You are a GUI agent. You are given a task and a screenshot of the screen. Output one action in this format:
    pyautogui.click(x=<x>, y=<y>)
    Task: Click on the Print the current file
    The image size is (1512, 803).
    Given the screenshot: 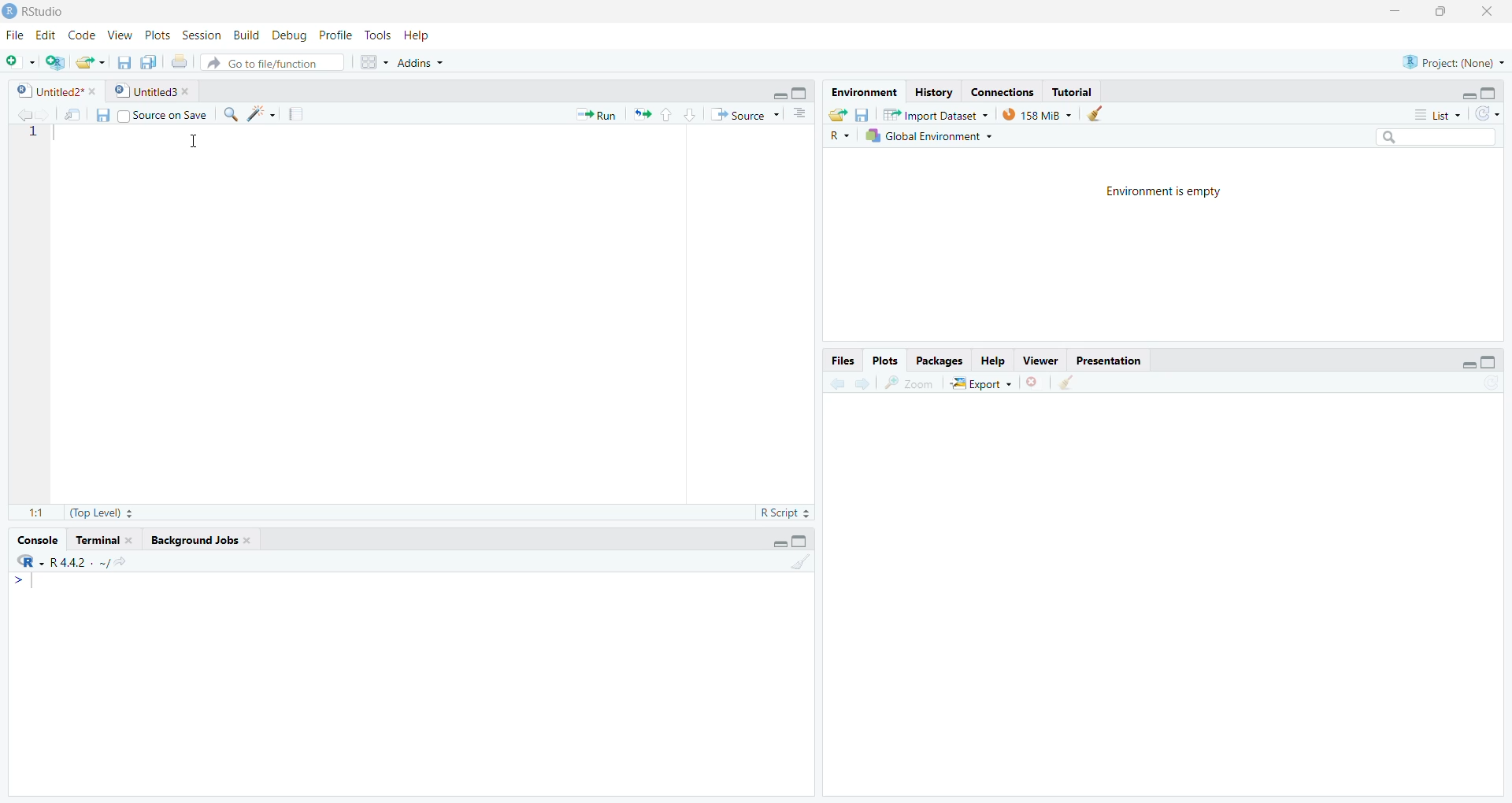 What is the action you would take?
    pyautogui.click(x=178, y=58)
    